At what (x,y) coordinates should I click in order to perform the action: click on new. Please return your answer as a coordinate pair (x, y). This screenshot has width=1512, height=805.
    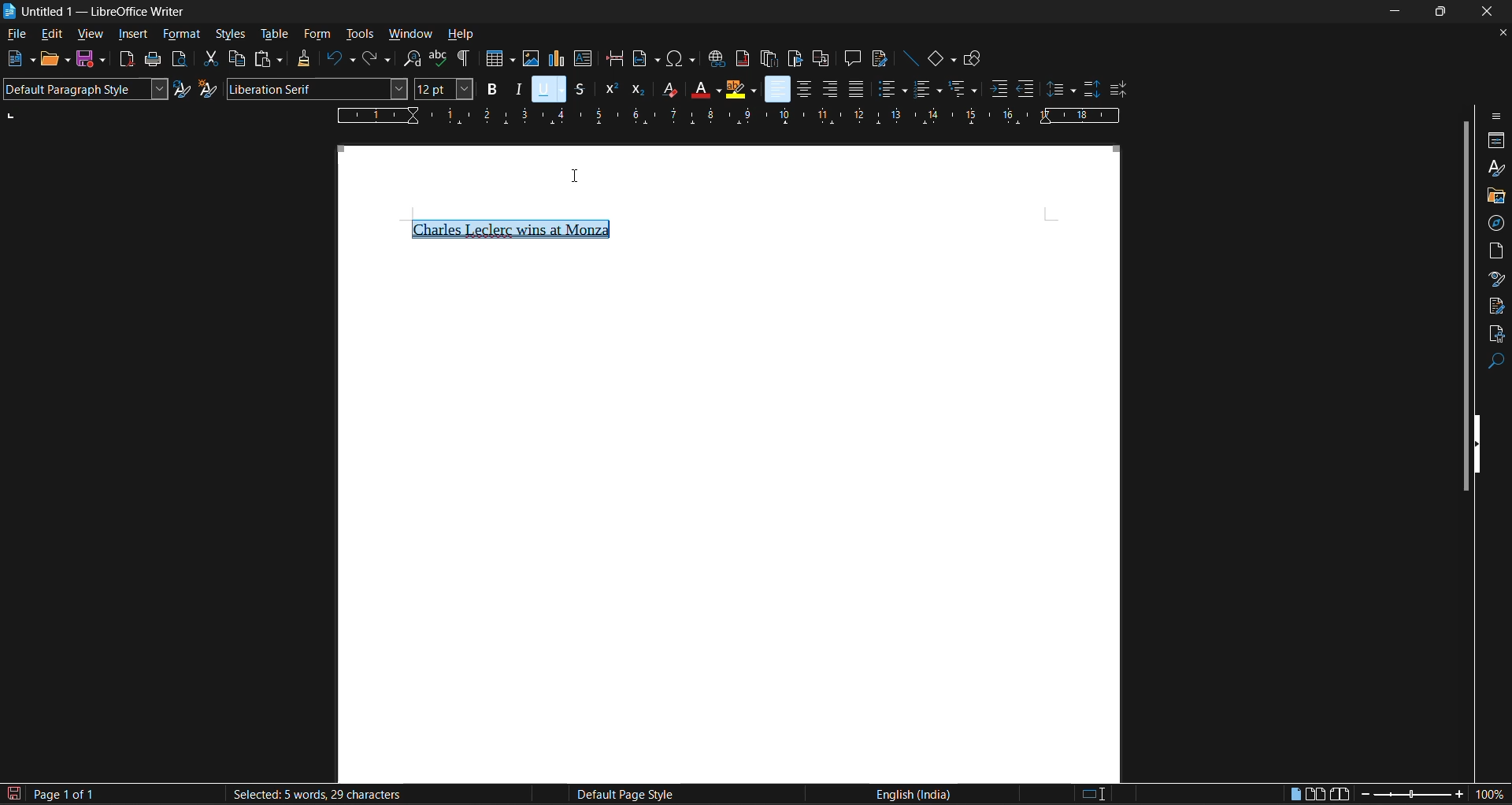
    Looking at the image, I should click on (20, 59).